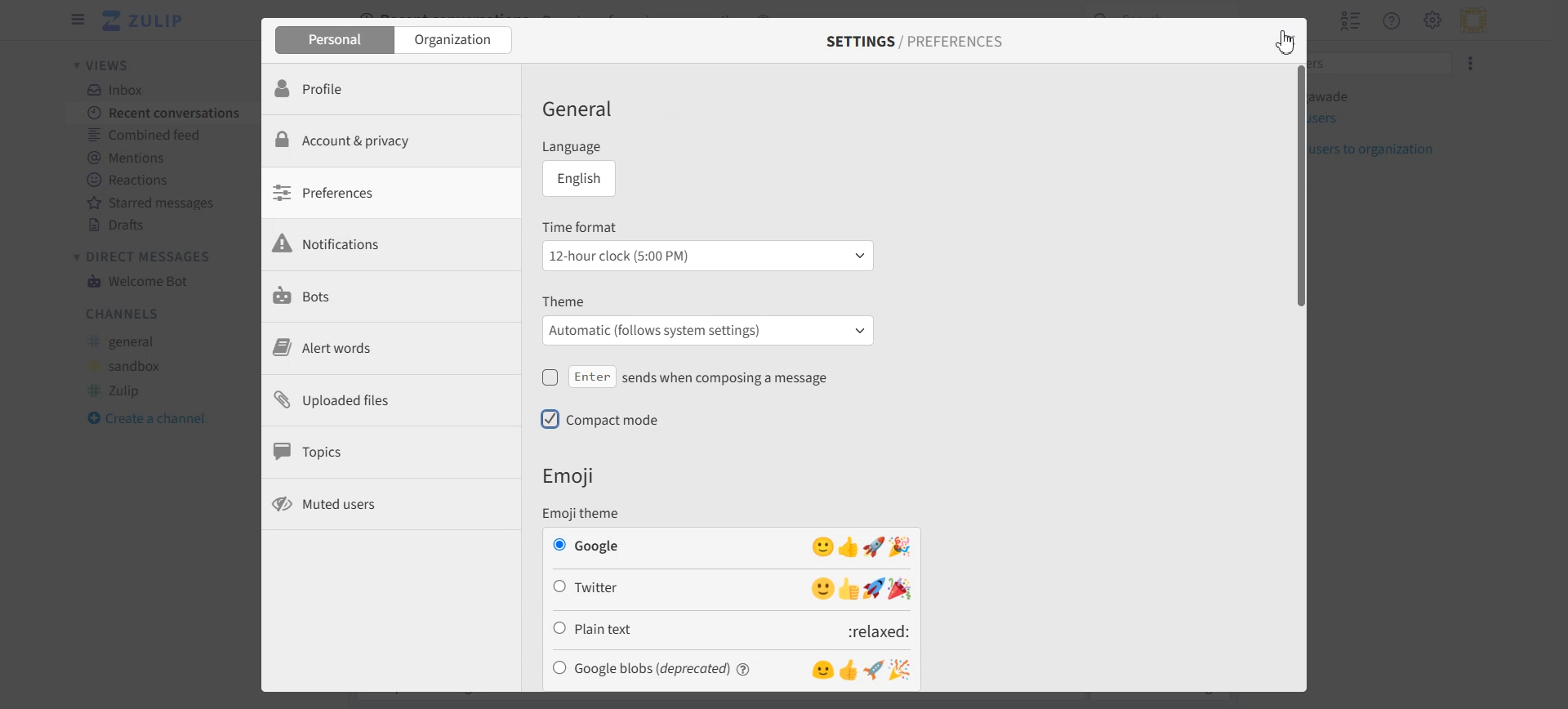 This screenshot has height=709, width=1568. What do you see at coordinates (390, 247) in the screenshot?
I see `Notifications` at bounding box center [390, 247].